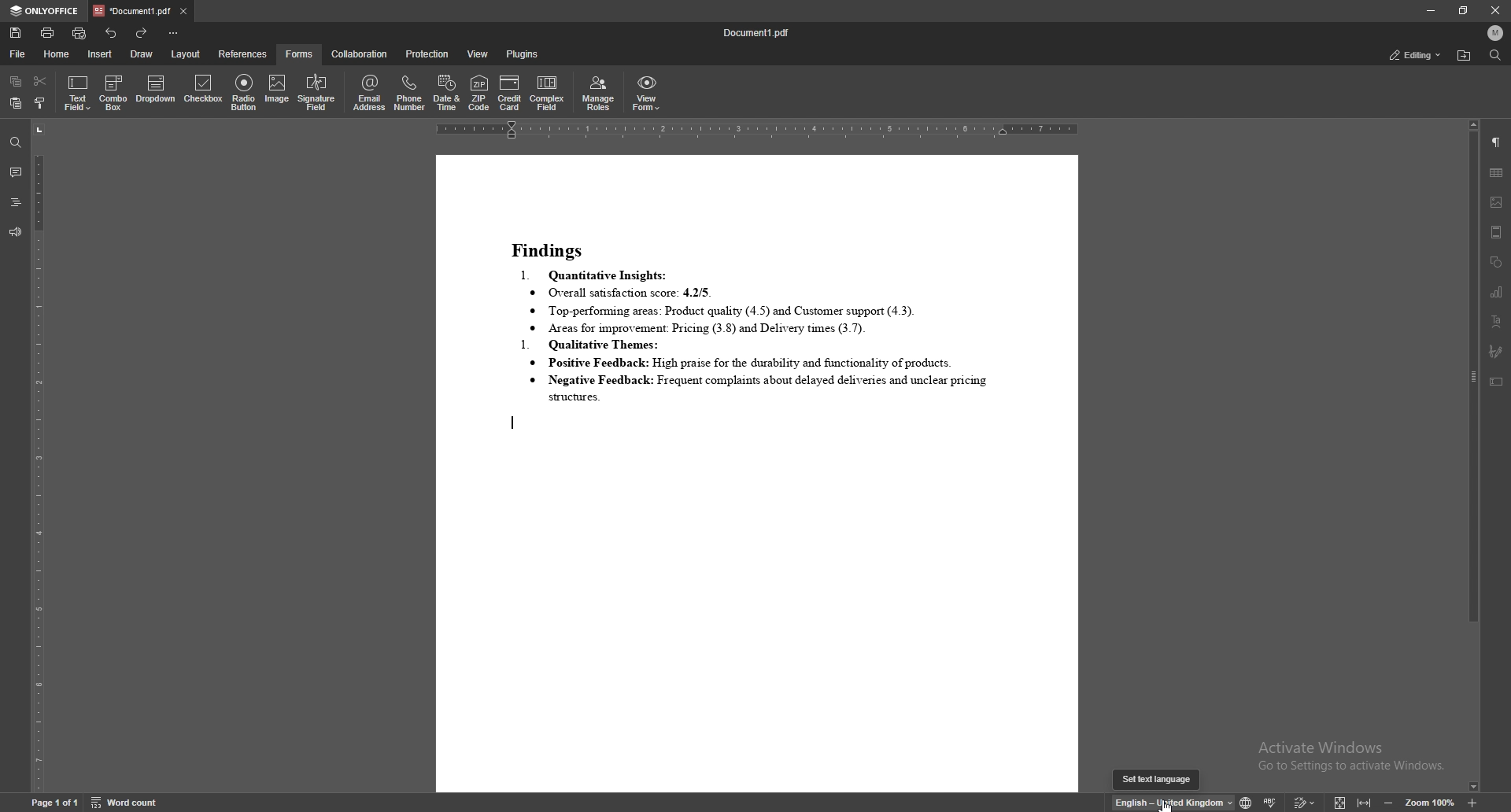 Image resolution: width=1511 pixels, height=812 pixels. I want to click on redo, so click(144, 32).